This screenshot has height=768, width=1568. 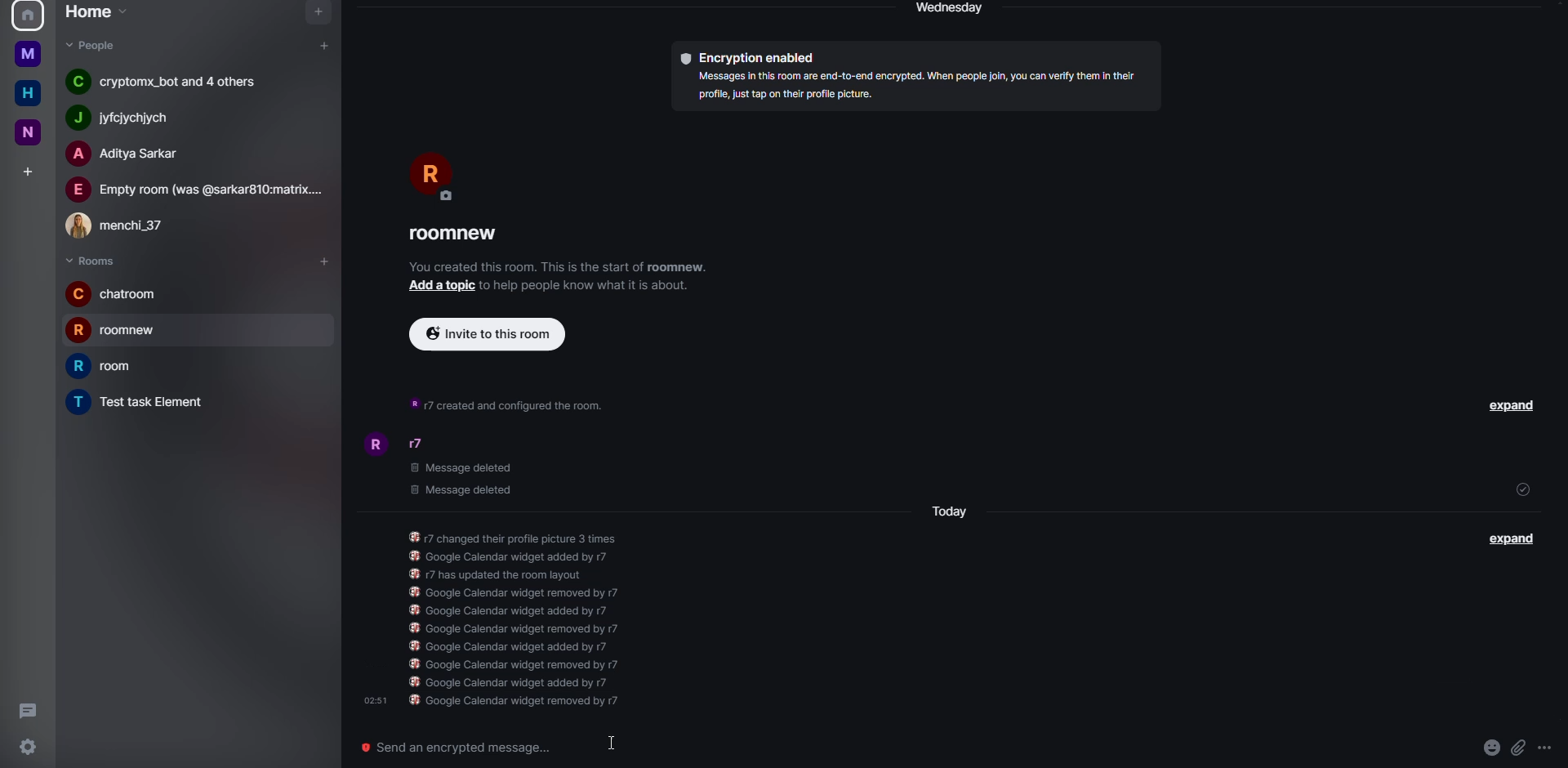 What do you see at coordinates (121, 330) in the screenshot?
I see `room` at bounding box center [121, 330].